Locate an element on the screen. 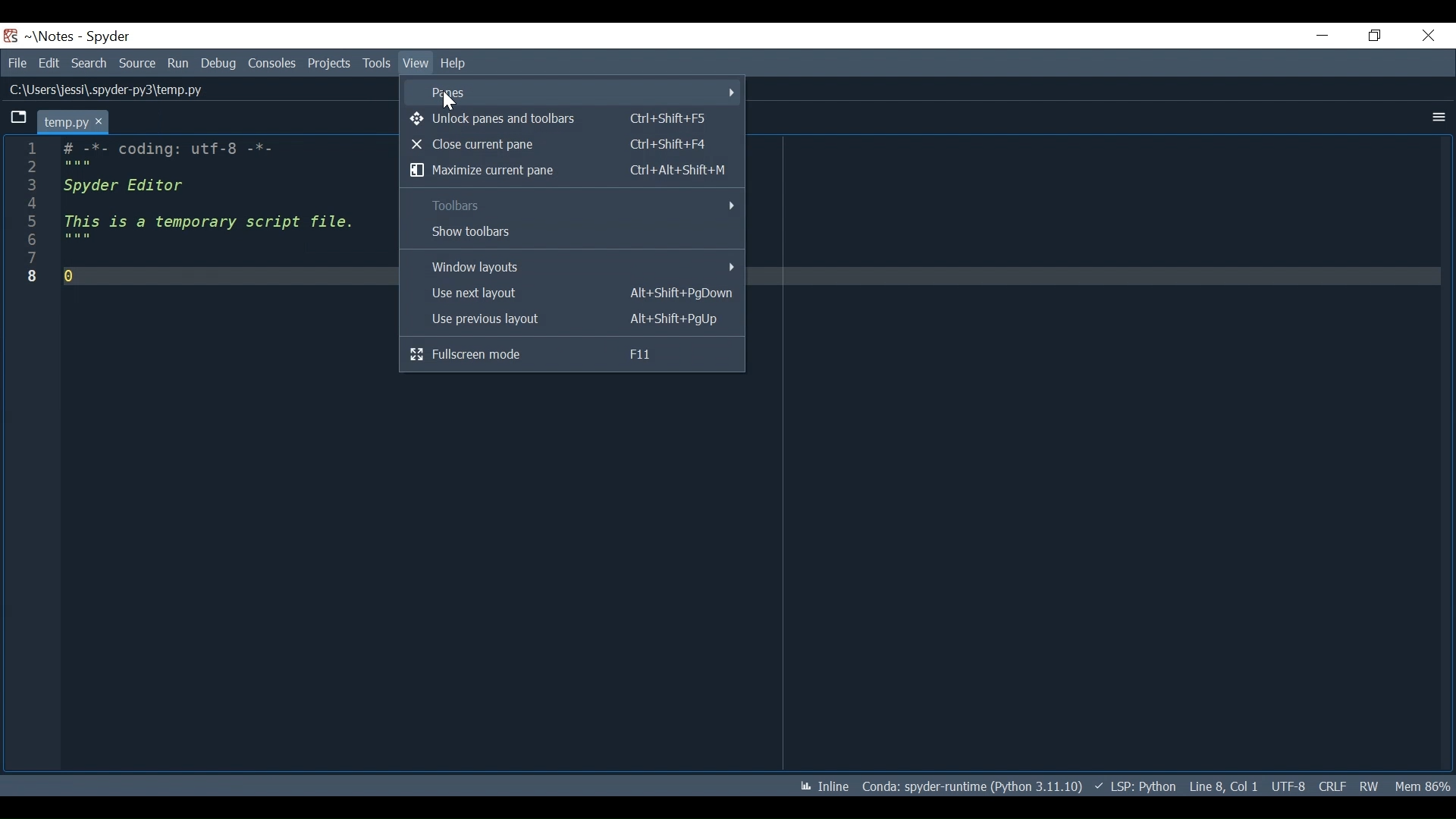  Show toolbars is located at coordinates (571, 231).